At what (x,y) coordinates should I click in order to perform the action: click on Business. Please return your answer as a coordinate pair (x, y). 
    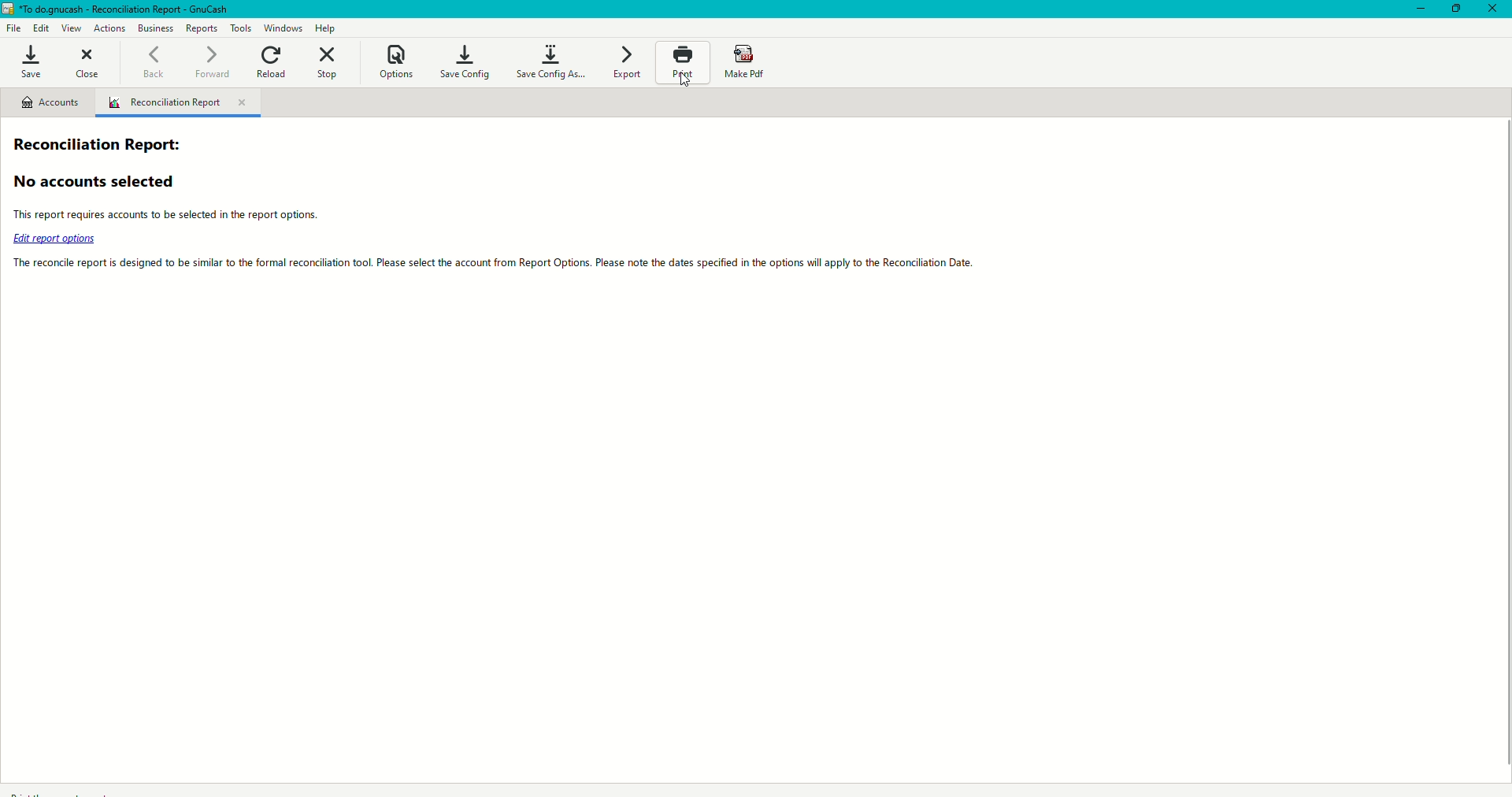
    Looking at the image, I should click on (156, 28).